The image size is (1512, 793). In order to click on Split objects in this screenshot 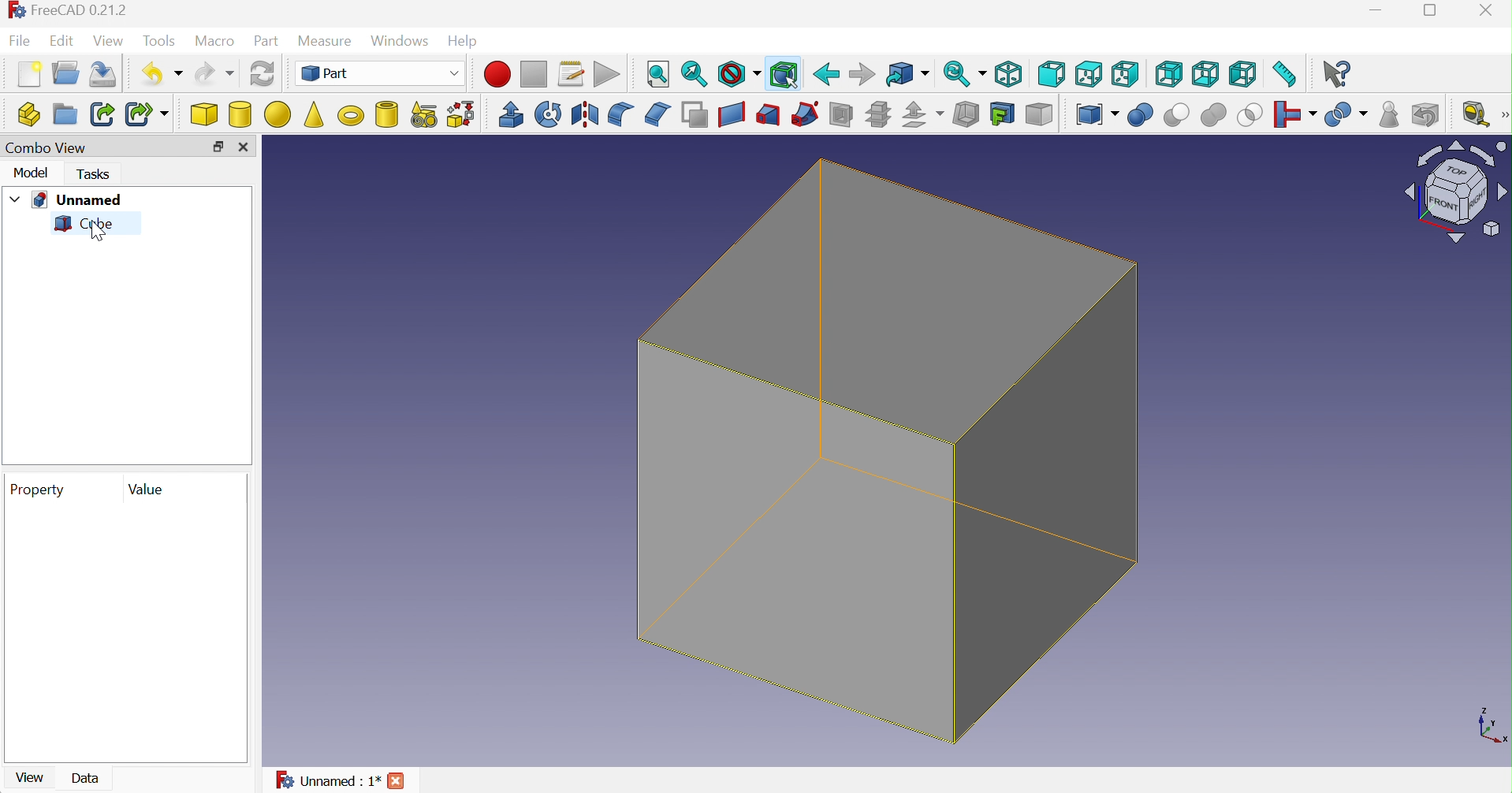, I will do `click(1344, 116)`.